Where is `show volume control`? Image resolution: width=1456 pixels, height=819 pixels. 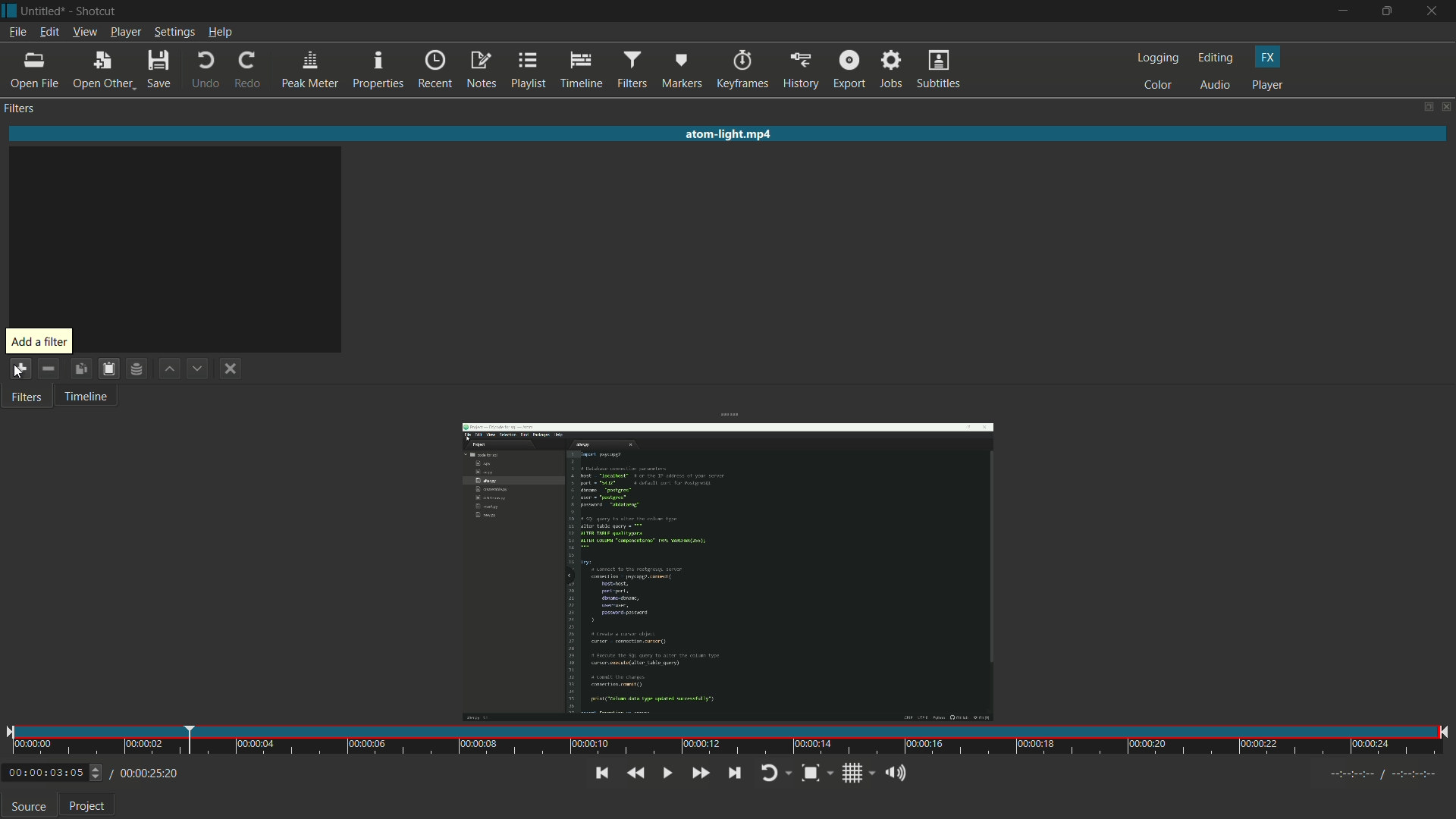
show volume control is located at coordinates (894, 774).